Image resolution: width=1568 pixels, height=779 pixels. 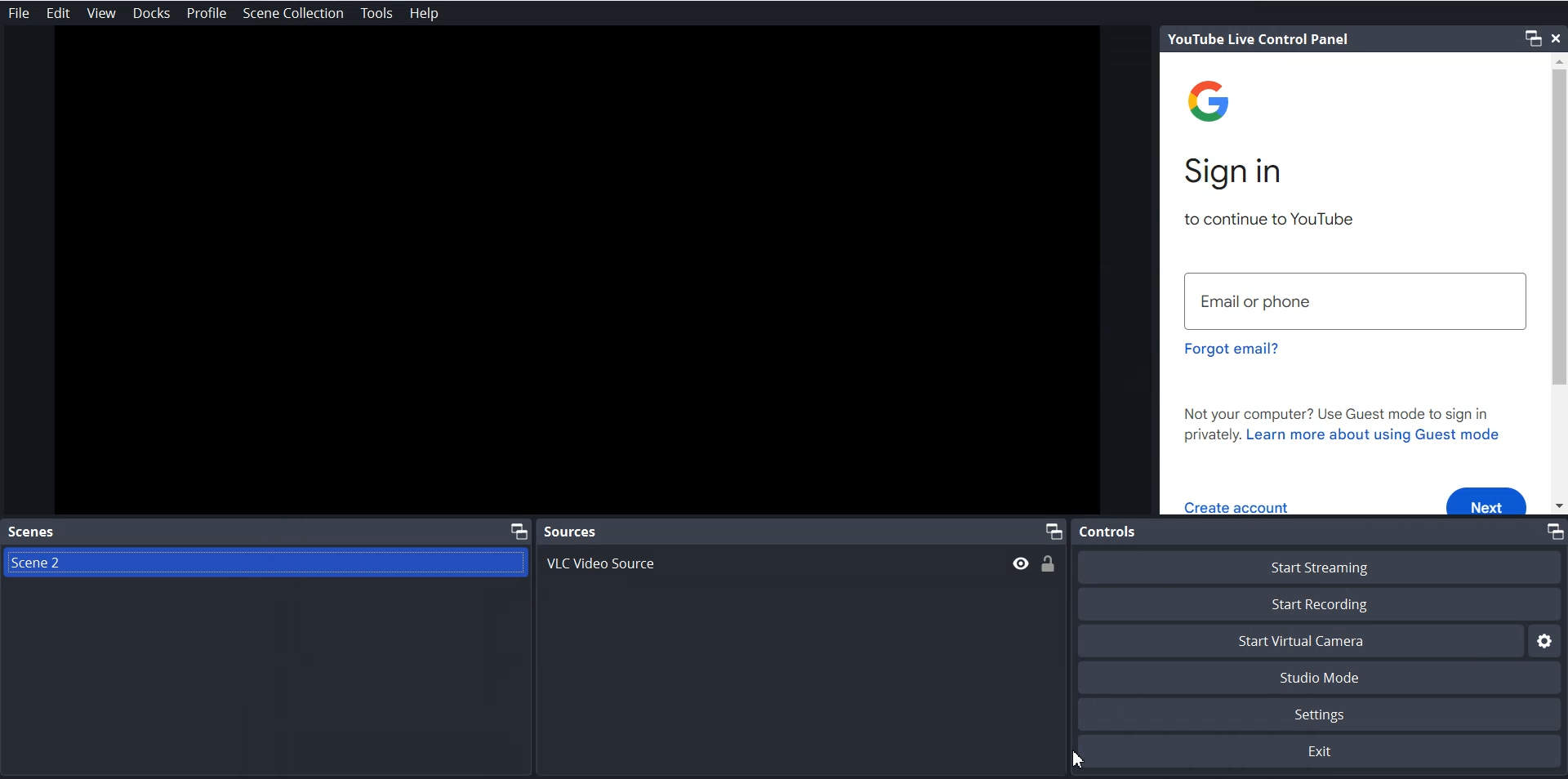 What do you see at coordinates (1108, 532) in the screenshot?
I see `Contols` at bounding box center [1108, 532].